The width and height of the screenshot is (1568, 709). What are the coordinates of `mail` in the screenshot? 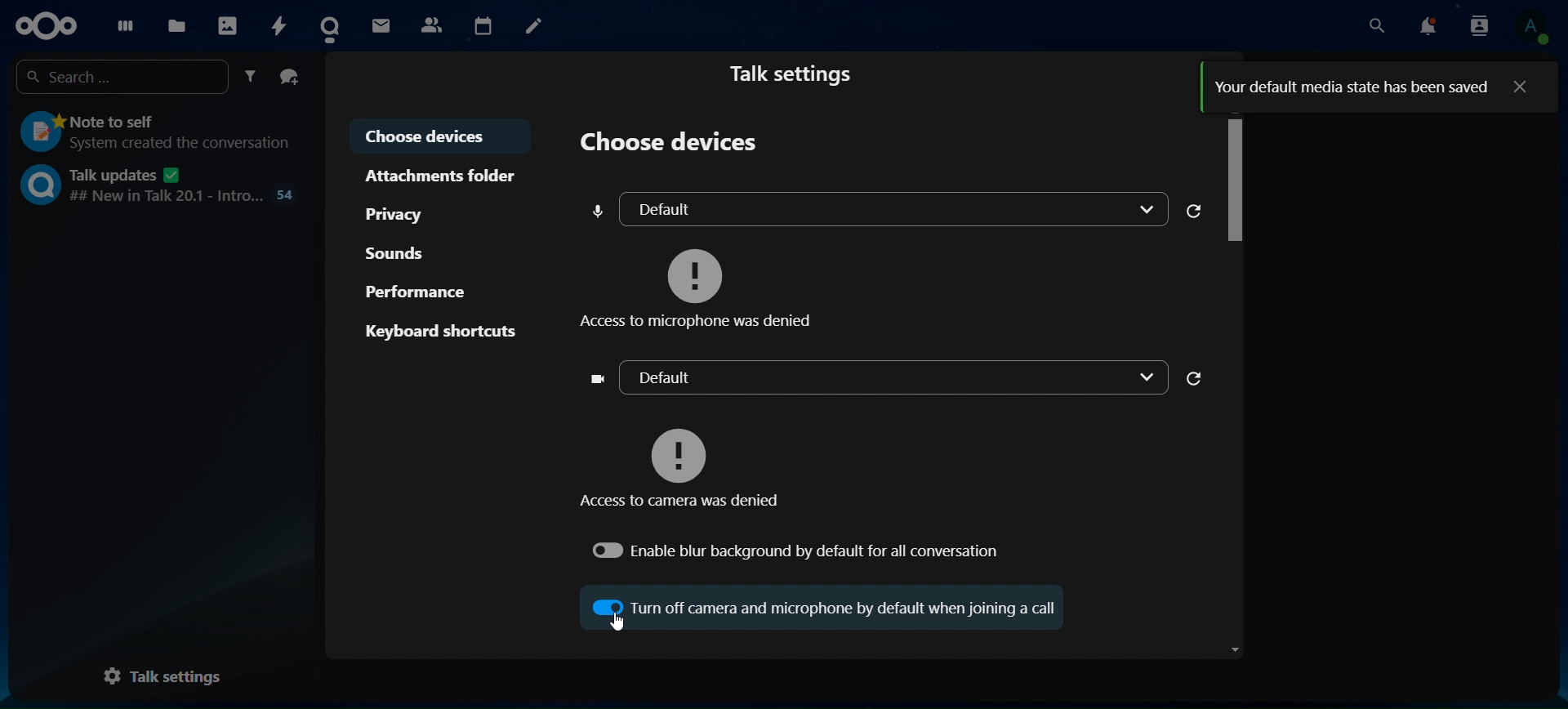 It's located at (381, 24).